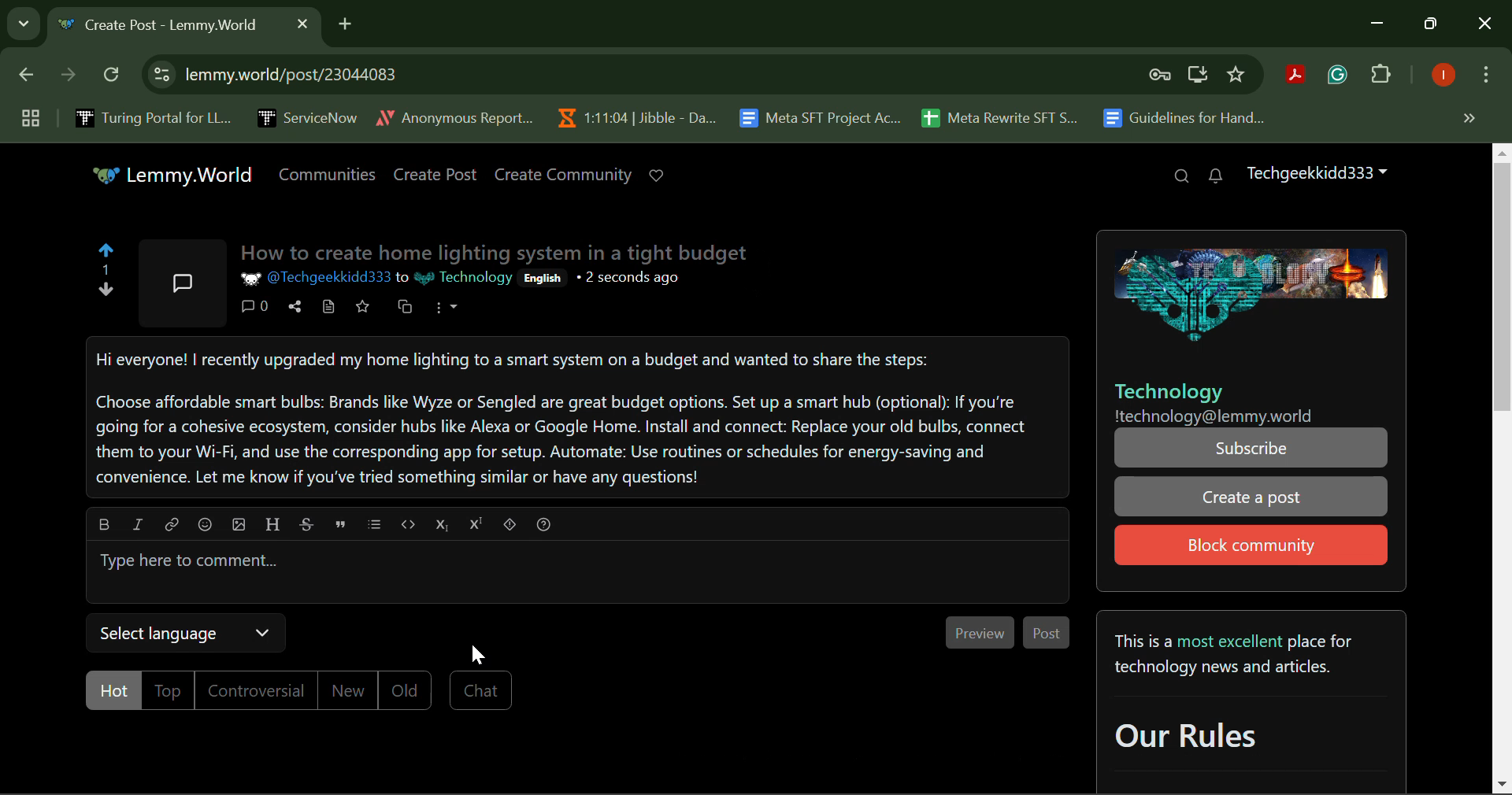  Describe the element at coordinates (1197, 76) in the screenshot. I see `Install Desktop Application` at that location.